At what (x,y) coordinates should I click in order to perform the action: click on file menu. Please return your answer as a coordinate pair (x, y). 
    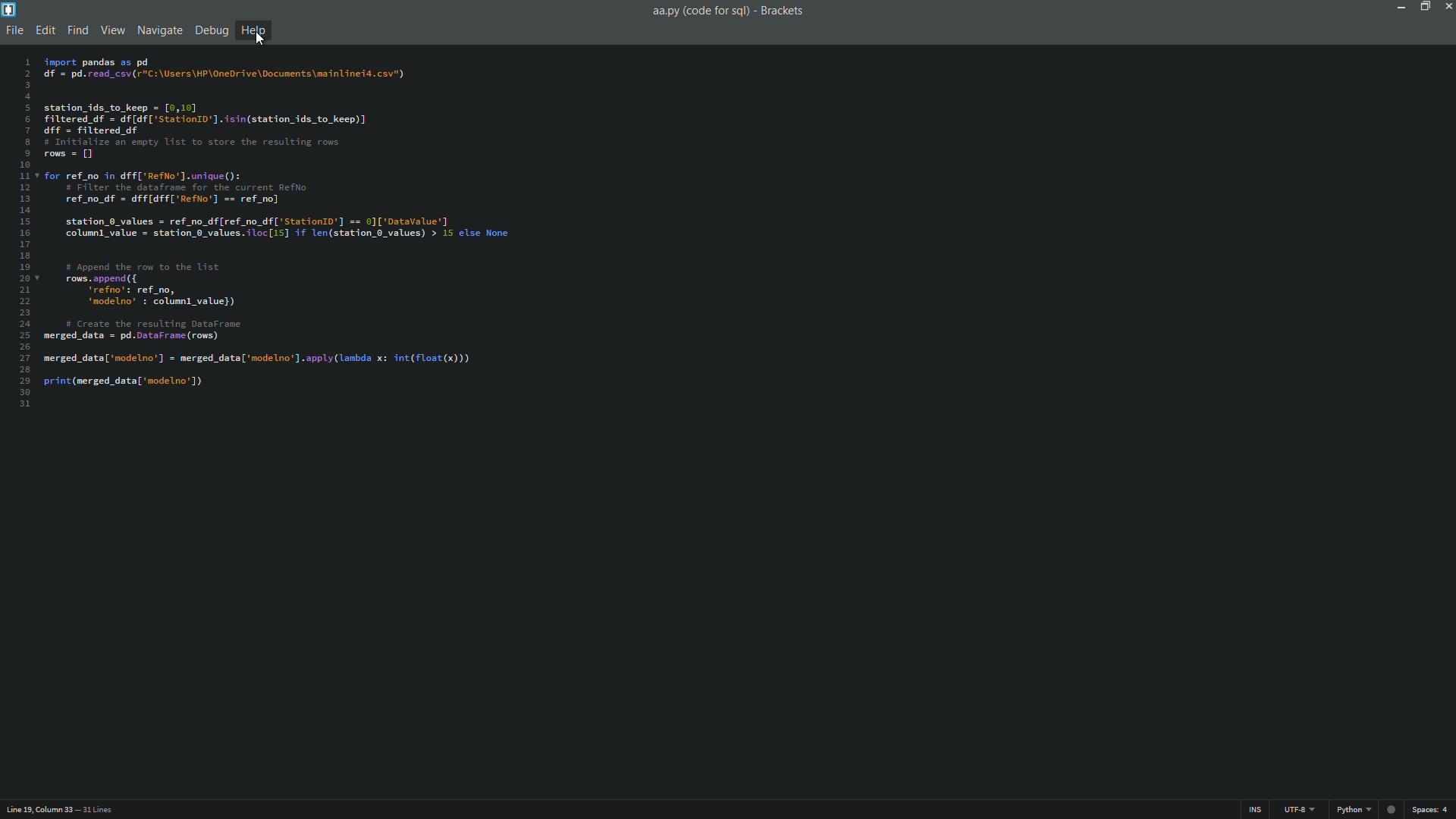
    Looking at the image, I should click on (14, 31).